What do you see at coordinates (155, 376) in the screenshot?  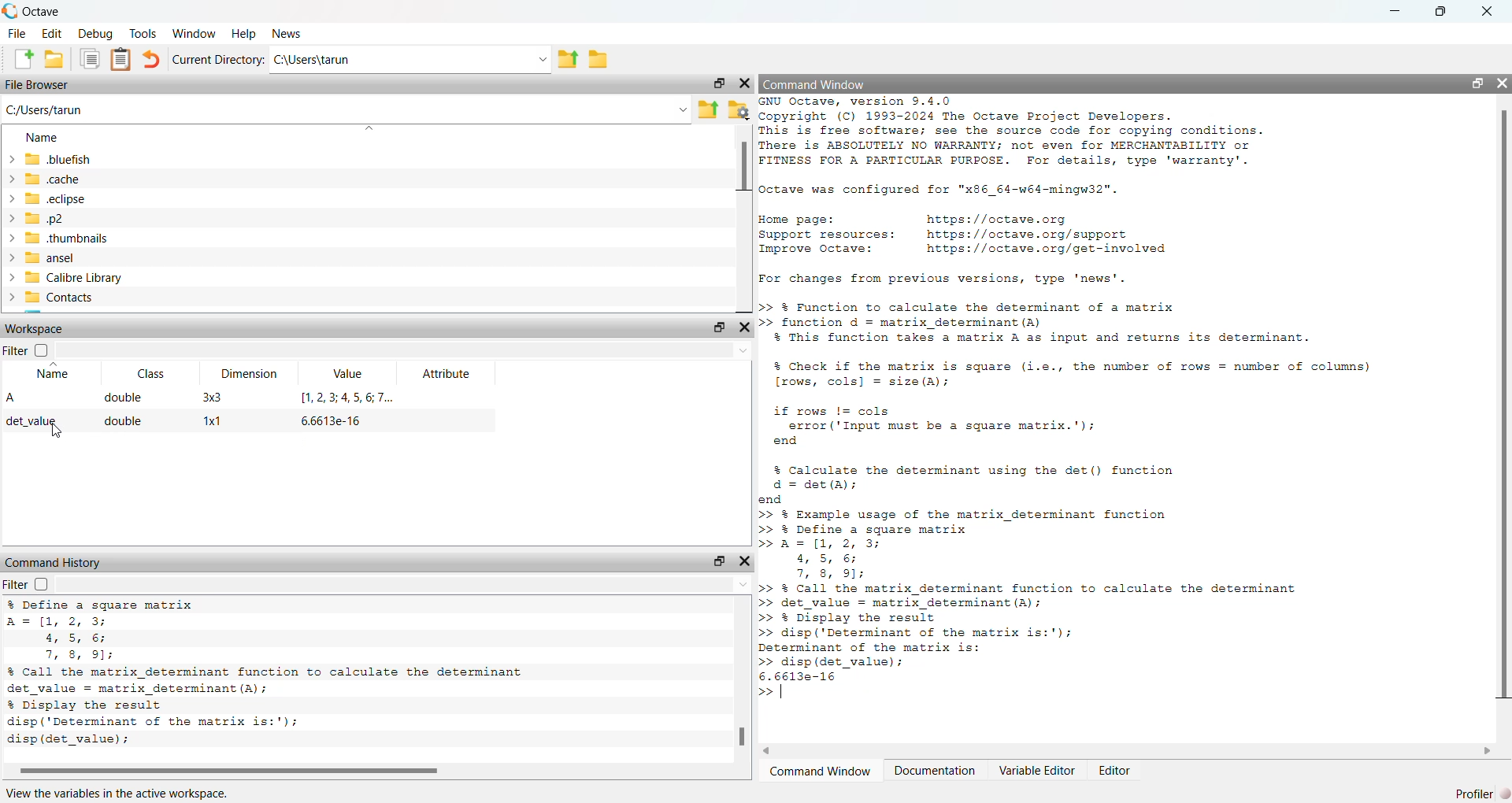 I see `class` at bounding box center [155, 376].